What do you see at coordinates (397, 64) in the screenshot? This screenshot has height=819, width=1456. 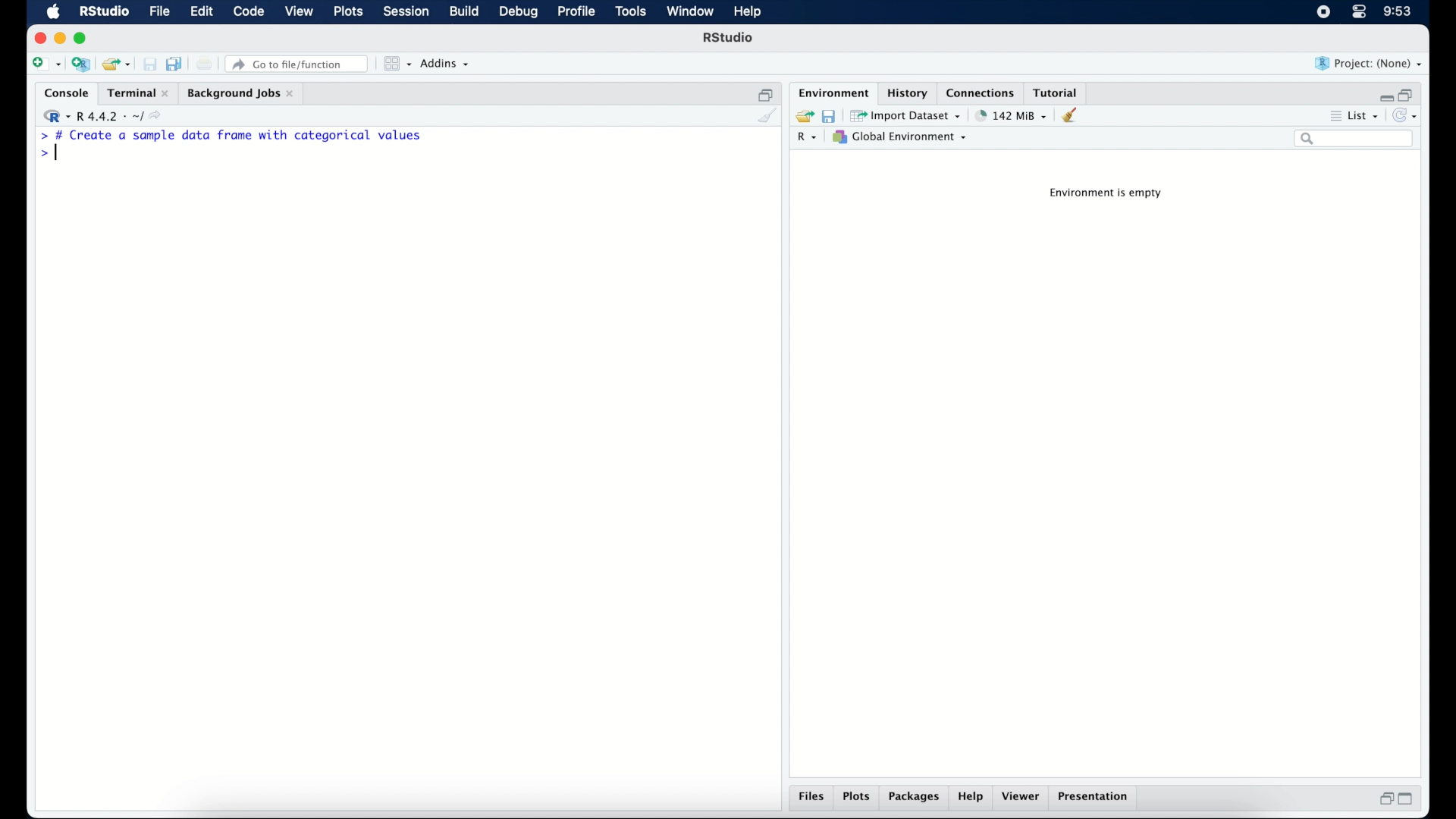 I see `workspace panes` at bounding box center [397, 64].